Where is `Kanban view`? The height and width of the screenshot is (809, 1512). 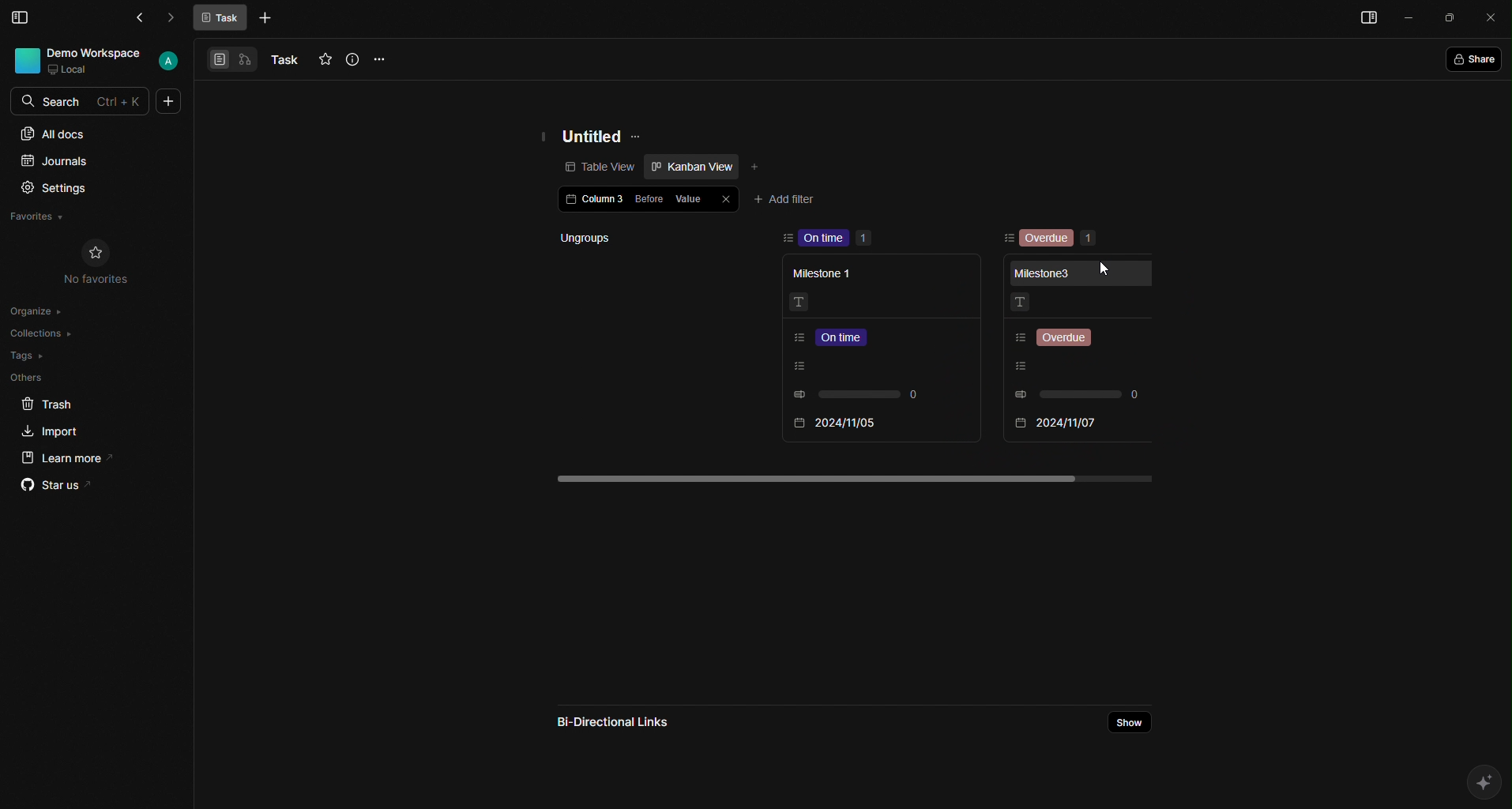 Kanban view is located at coordinates (690, 166).